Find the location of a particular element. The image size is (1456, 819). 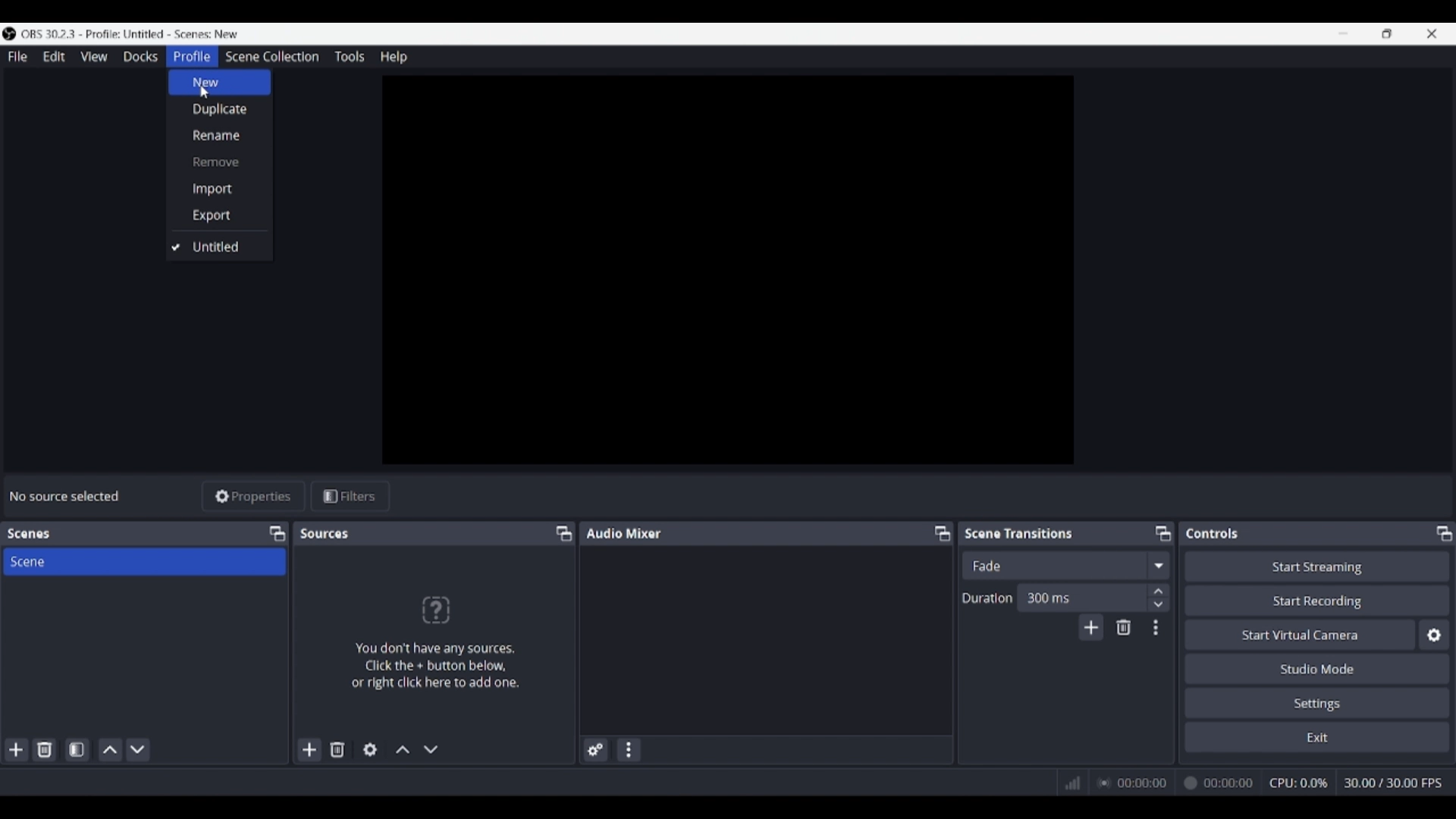

Filters is located at coordinates (350, 497).